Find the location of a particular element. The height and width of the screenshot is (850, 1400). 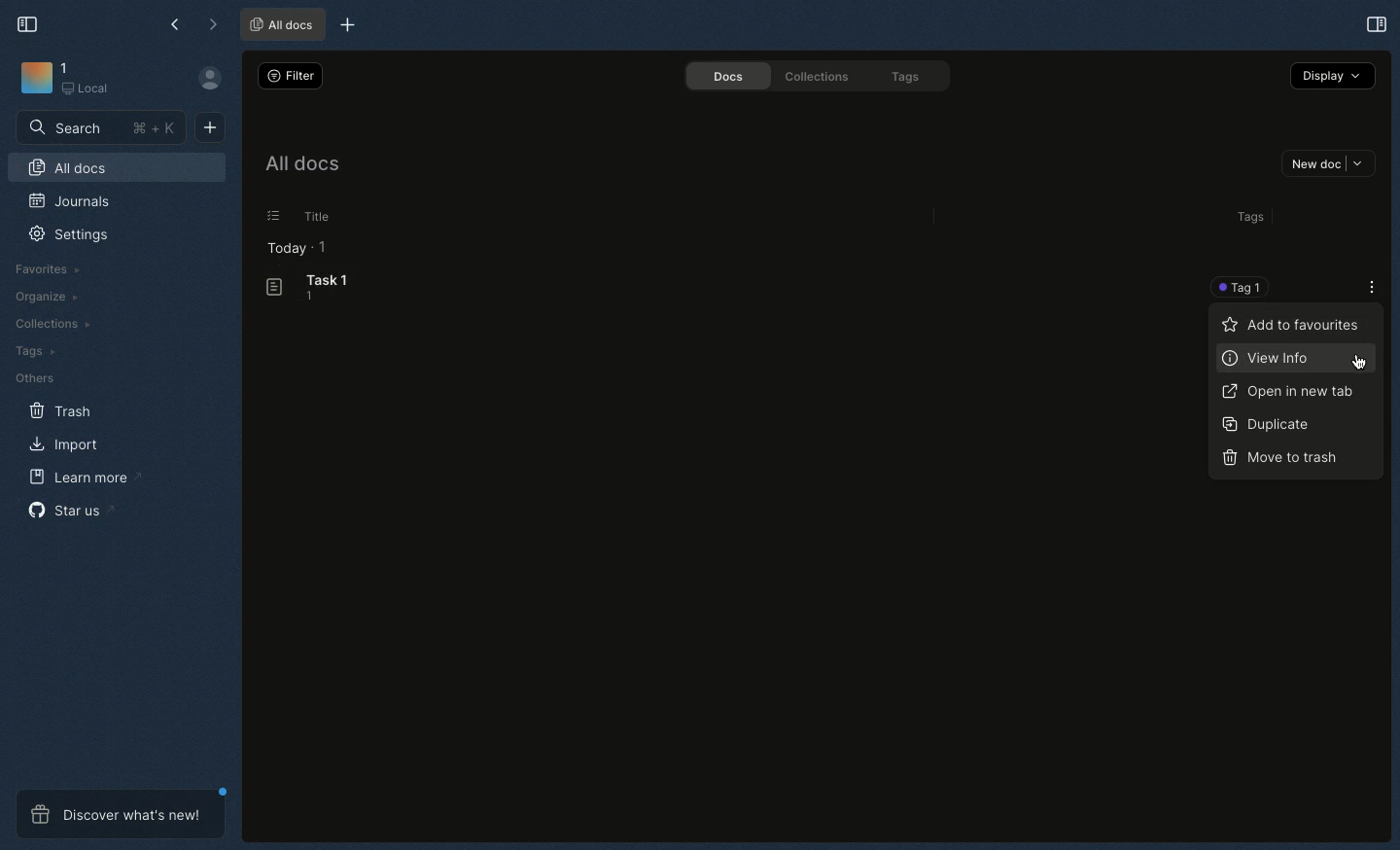

View info is located at coordinates (1267, 360).